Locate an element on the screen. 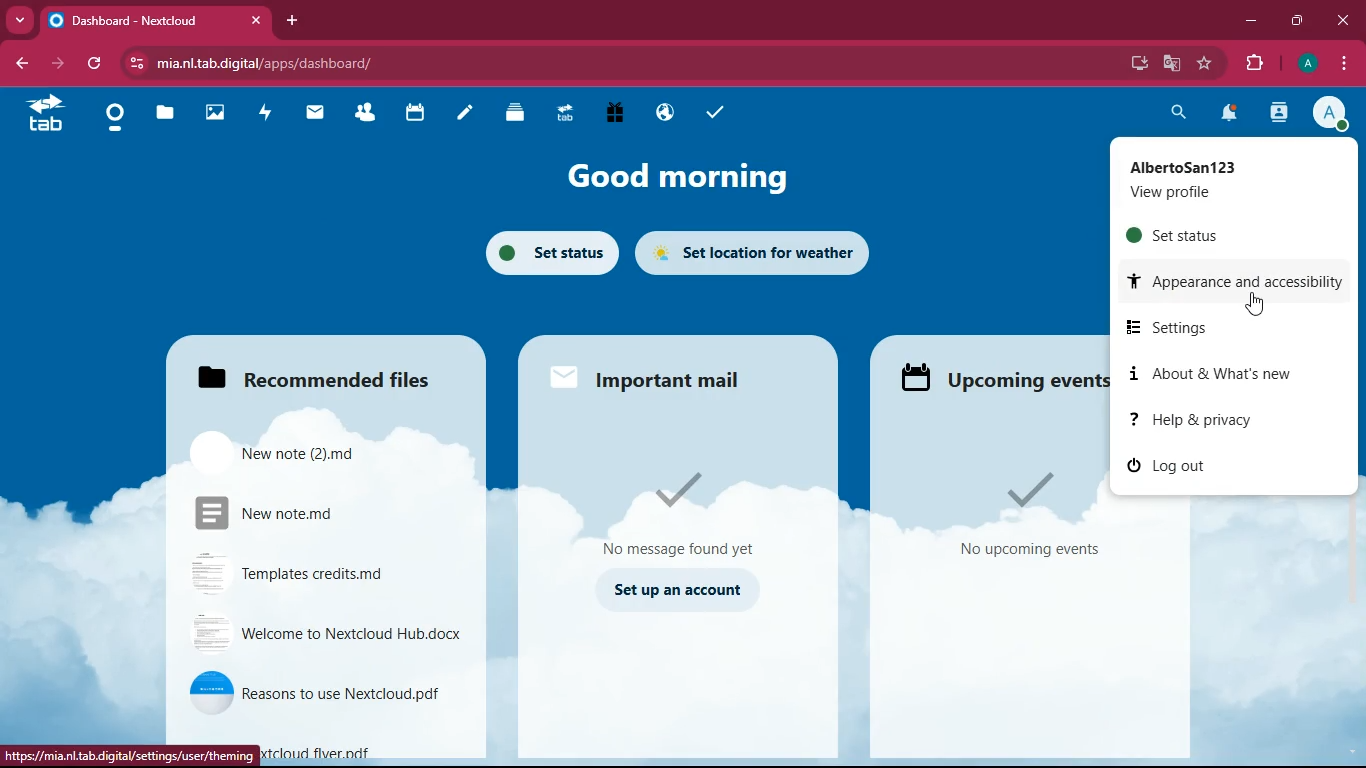  maximize is located at coordinates (1299, 17).